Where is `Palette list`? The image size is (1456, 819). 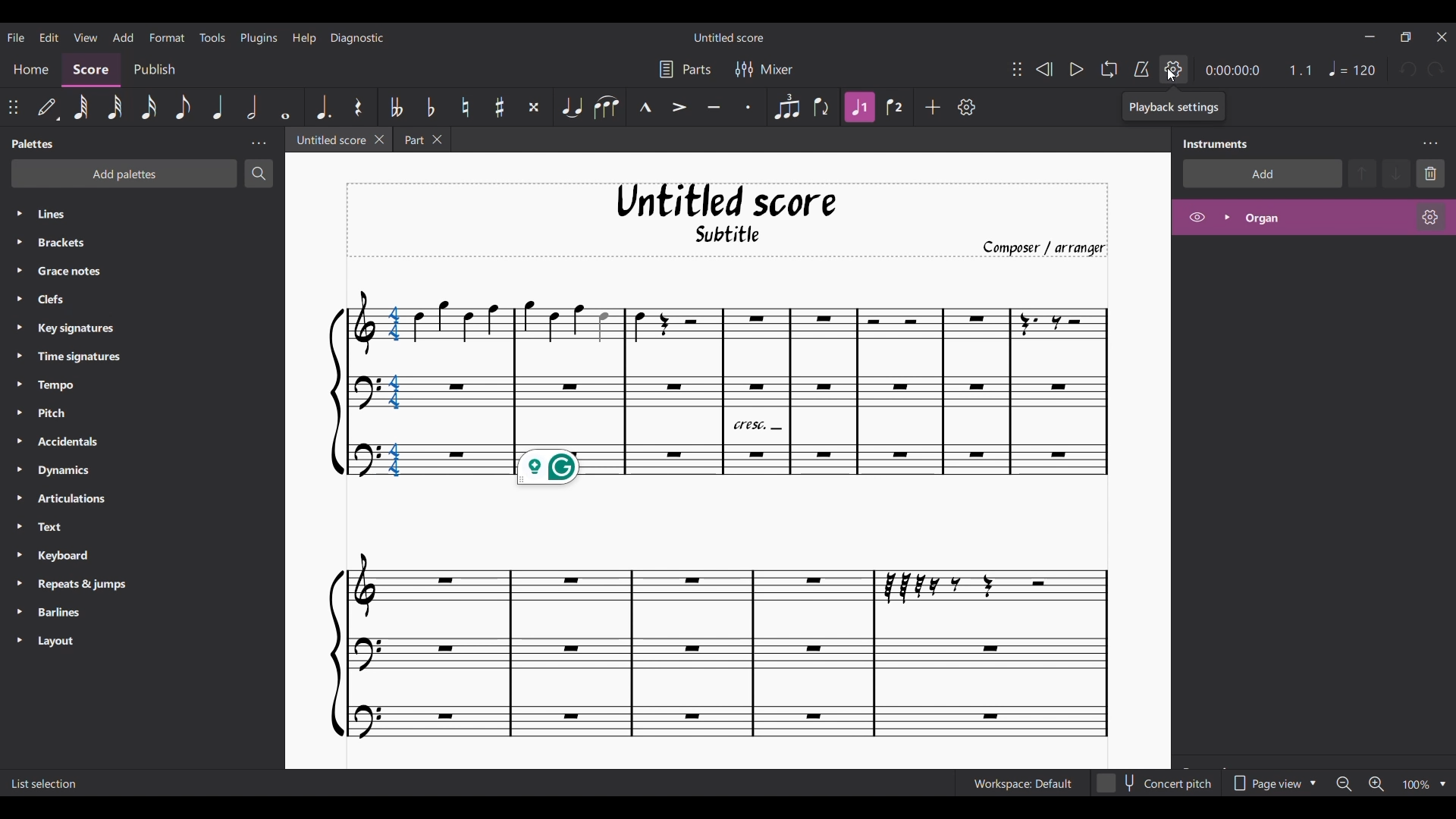
Palette list is located at coordinates (157, 427).